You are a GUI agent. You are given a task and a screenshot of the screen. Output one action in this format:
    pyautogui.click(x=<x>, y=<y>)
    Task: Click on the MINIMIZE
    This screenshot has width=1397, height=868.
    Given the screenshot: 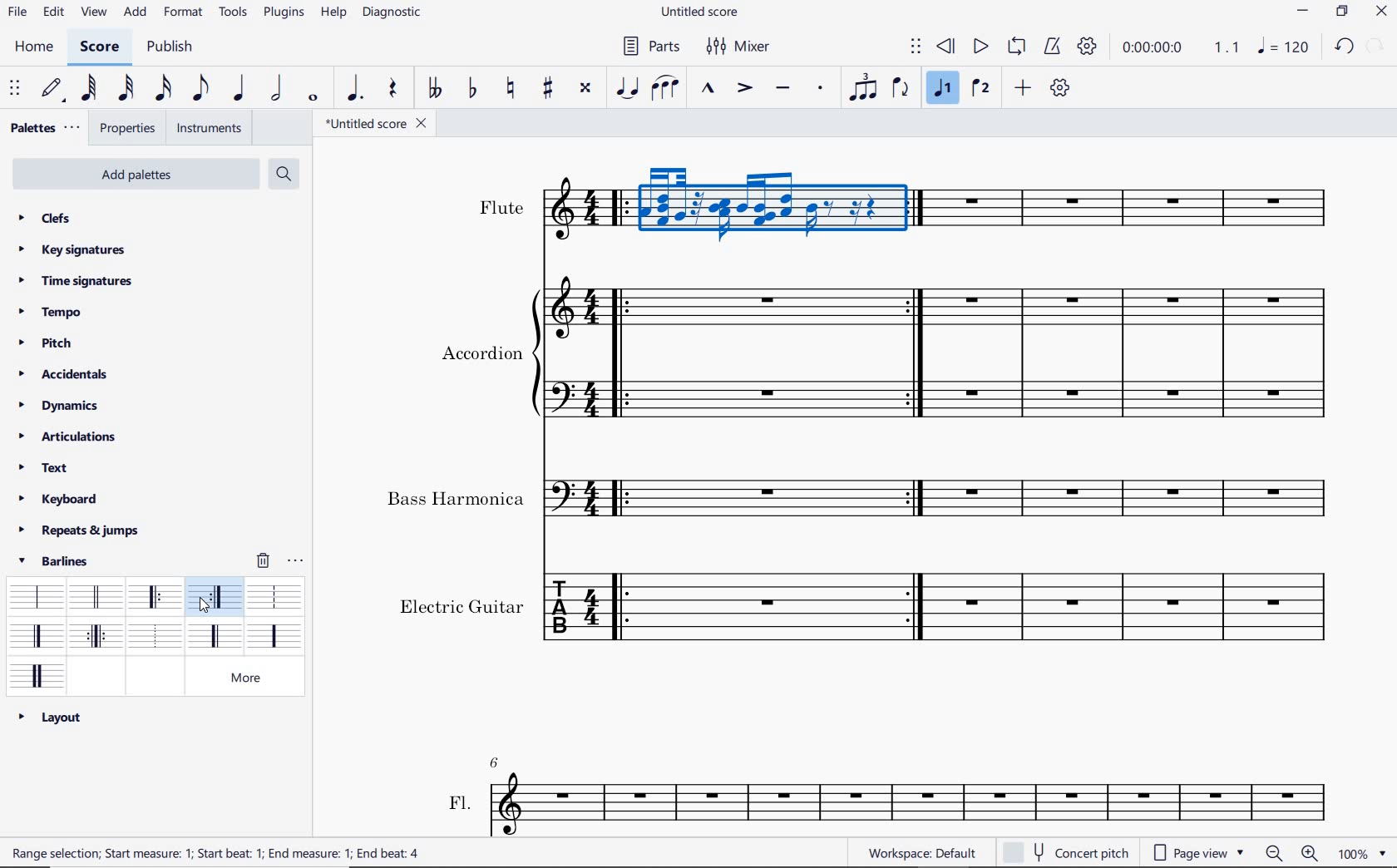 What is the action you would take?
    pyautogui.click(x=1303, y=10)
    